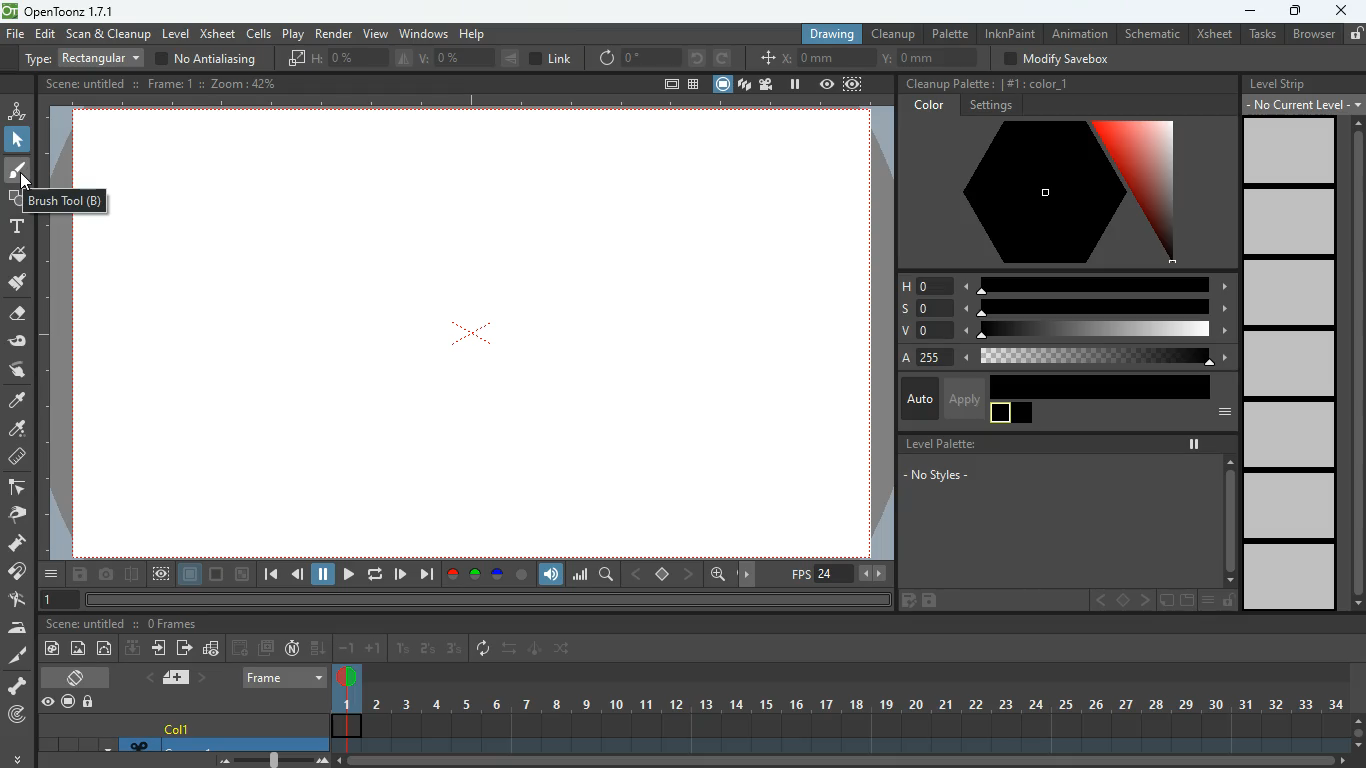 The image size is (1366, 768). What do you see at coordinates (947, 84) in the screenshot?
I see `cleanup palette` at bounding box center [947, 84].